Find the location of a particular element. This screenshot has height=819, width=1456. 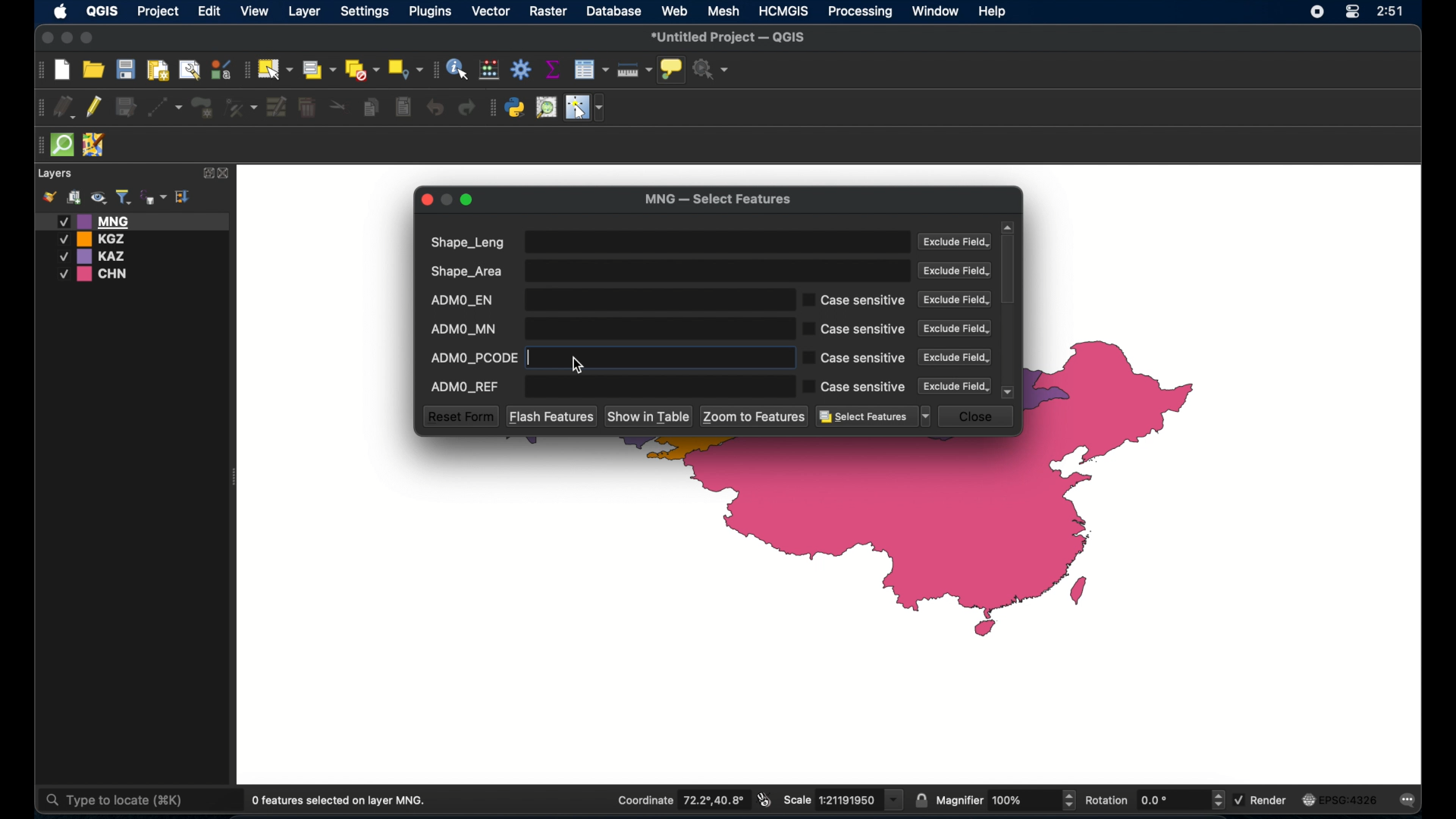

QGIS is located at coordinates (101, 14).